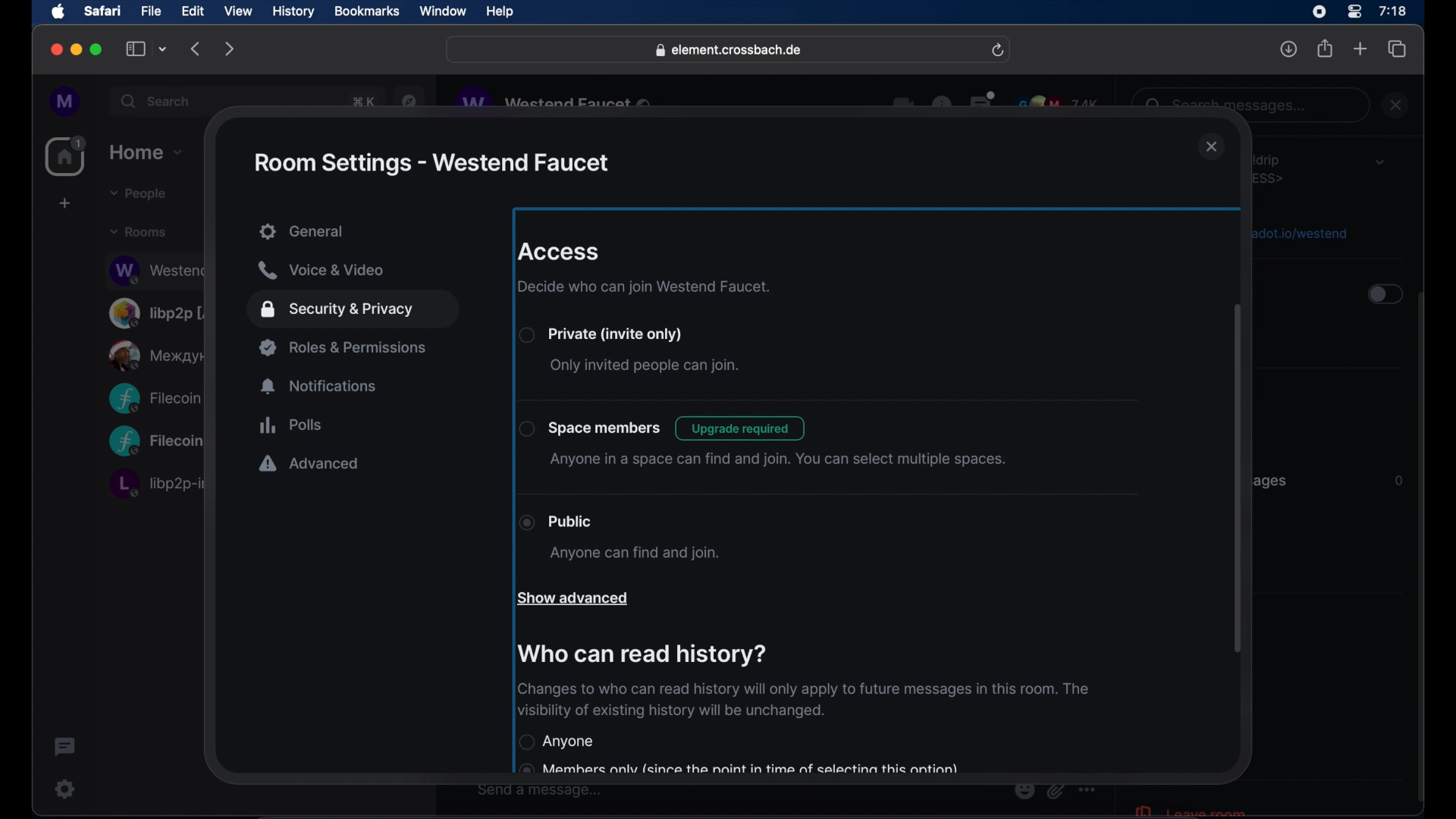 The image size is (1456, 819). I want to click on screen recorder icon, so click(1319, 12).